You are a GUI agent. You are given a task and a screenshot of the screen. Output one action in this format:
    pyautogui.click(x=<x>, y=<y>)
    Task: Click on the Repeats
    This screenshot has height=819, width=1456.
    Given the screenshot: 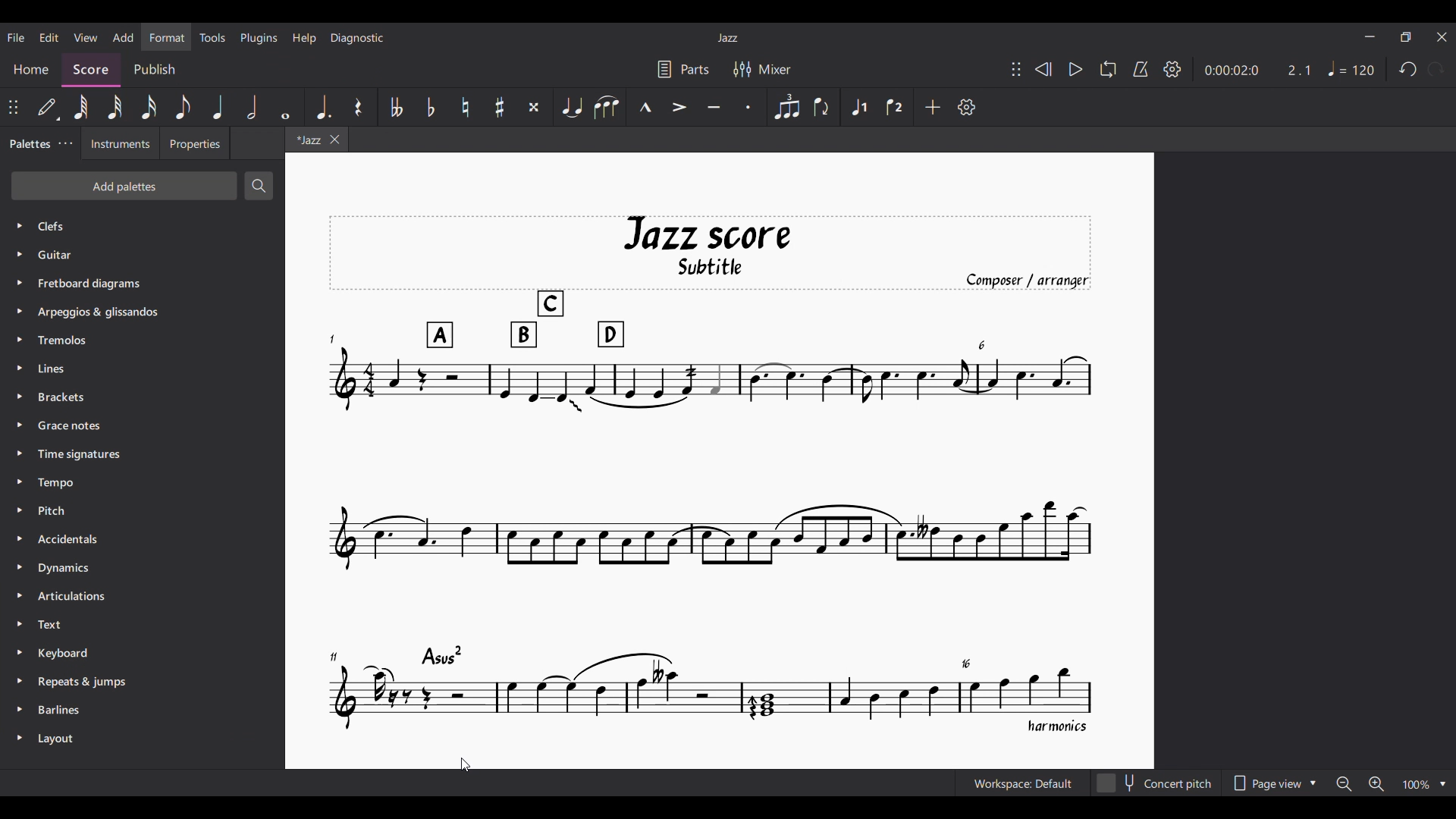 What is the action you would take?
    pyautogui.click(x=88, y=682)
    